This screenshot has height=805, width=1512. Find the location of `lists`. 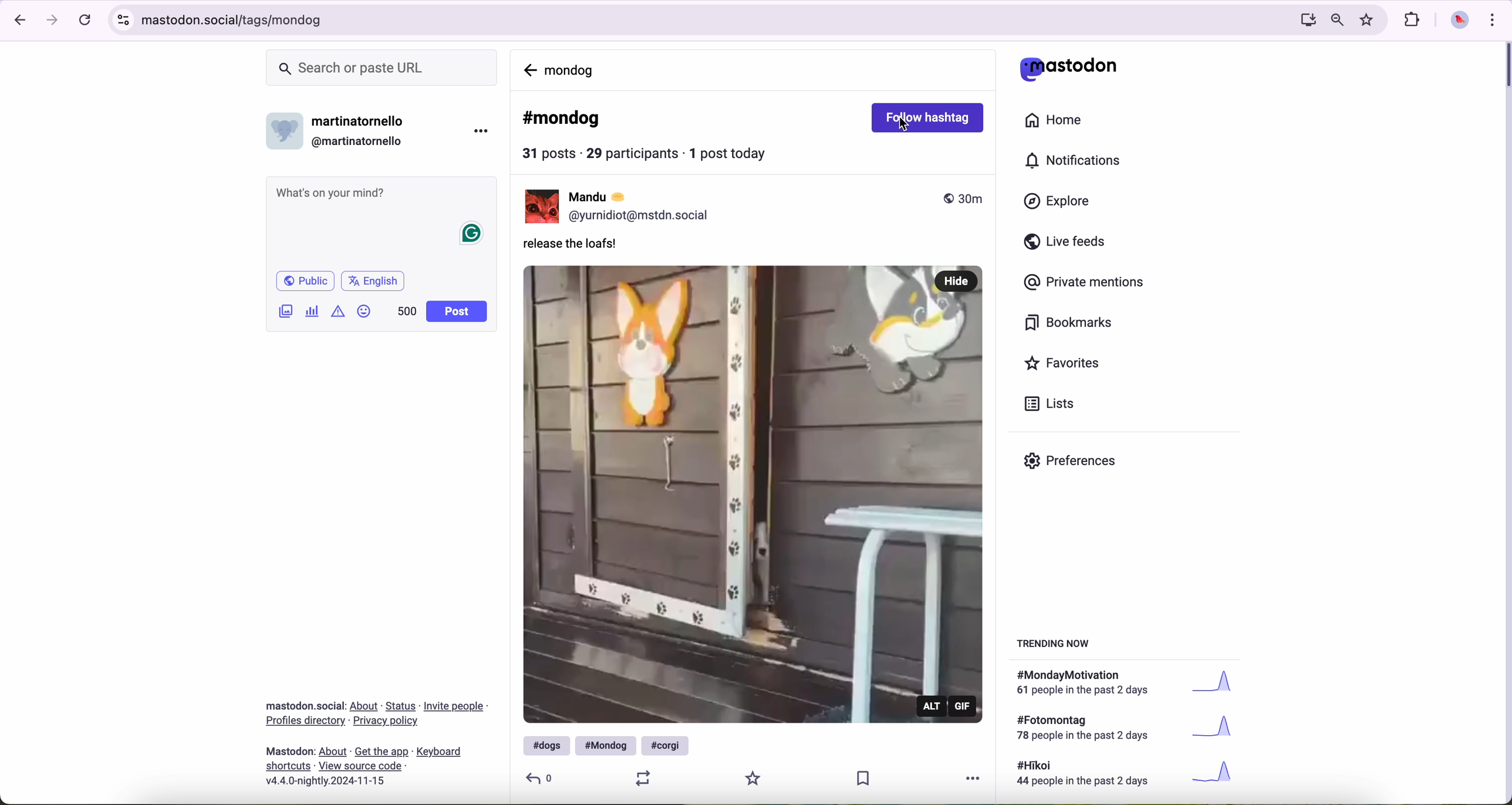

lists is located at coordinates (1054, 404).